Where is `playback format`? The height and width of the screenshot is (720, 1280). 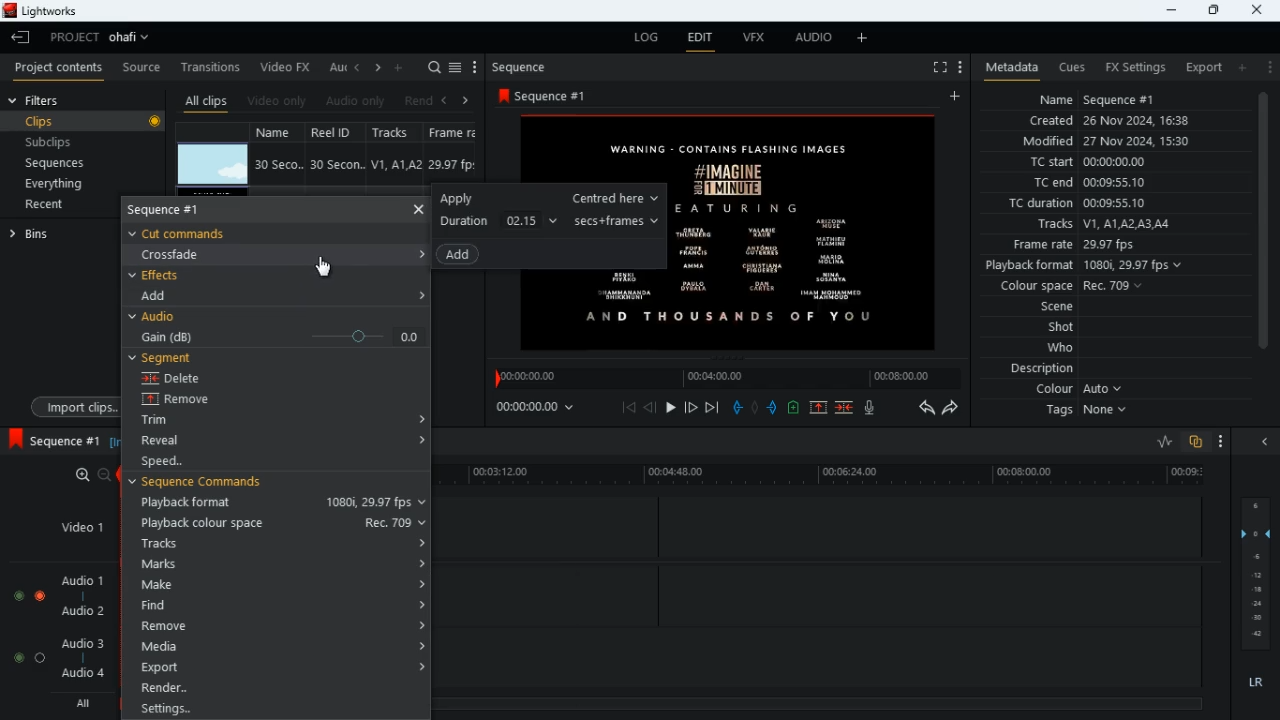
playback format is located at coordinates (1090, 267).